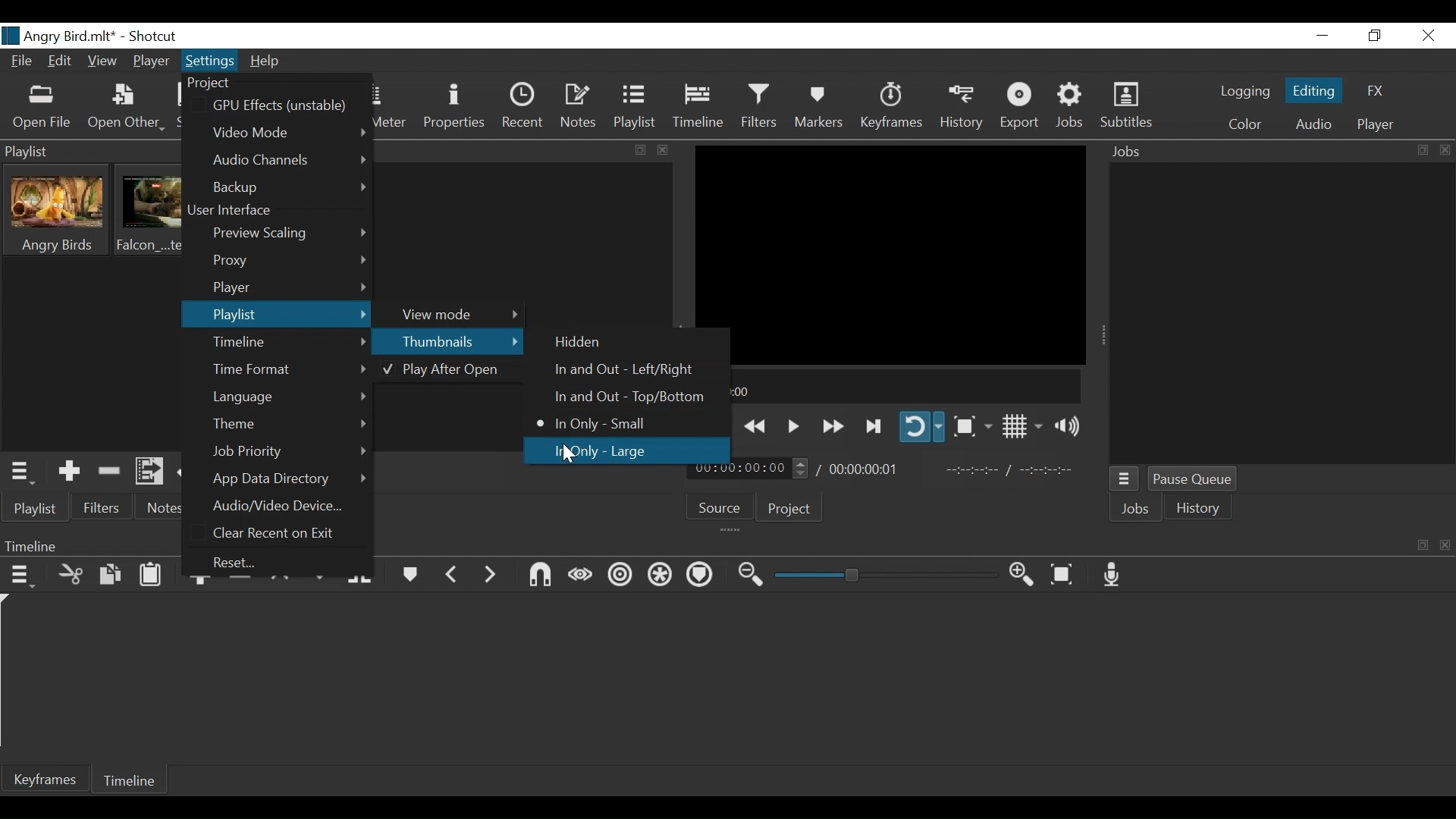  I want to click on In Only -Large, so click(600, 450).